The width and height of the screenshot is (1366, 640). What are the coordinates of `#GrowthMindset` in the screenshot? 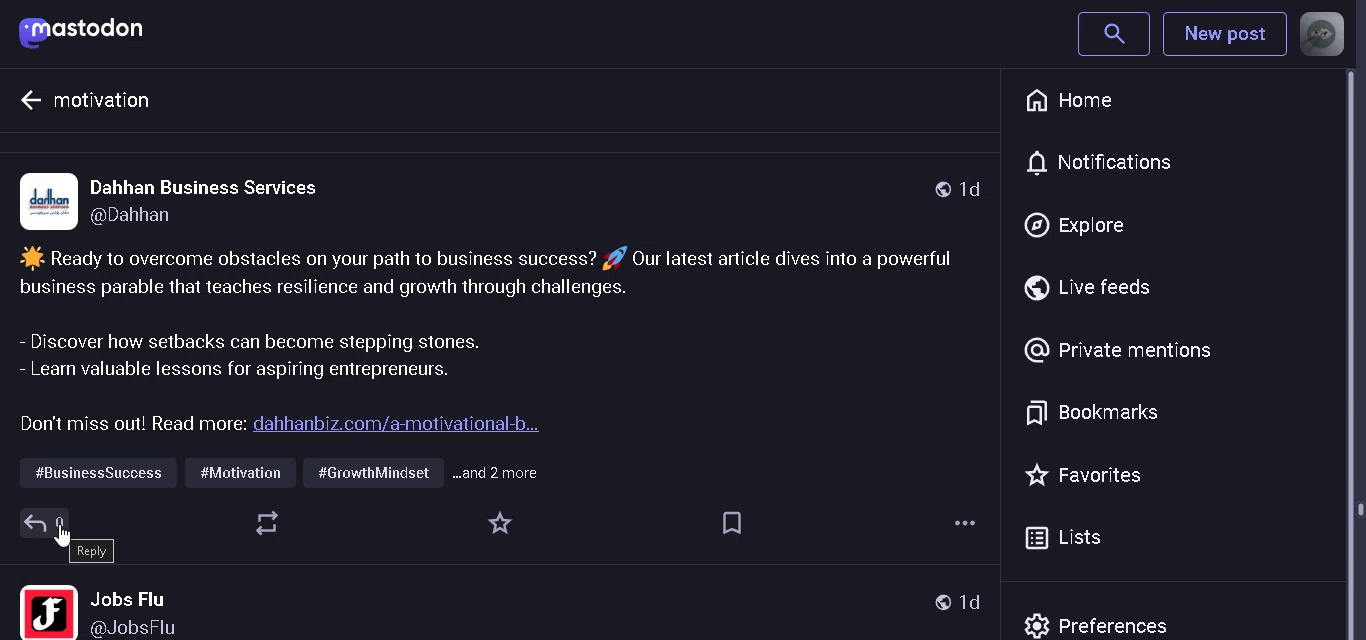 It's located at (370, 473).